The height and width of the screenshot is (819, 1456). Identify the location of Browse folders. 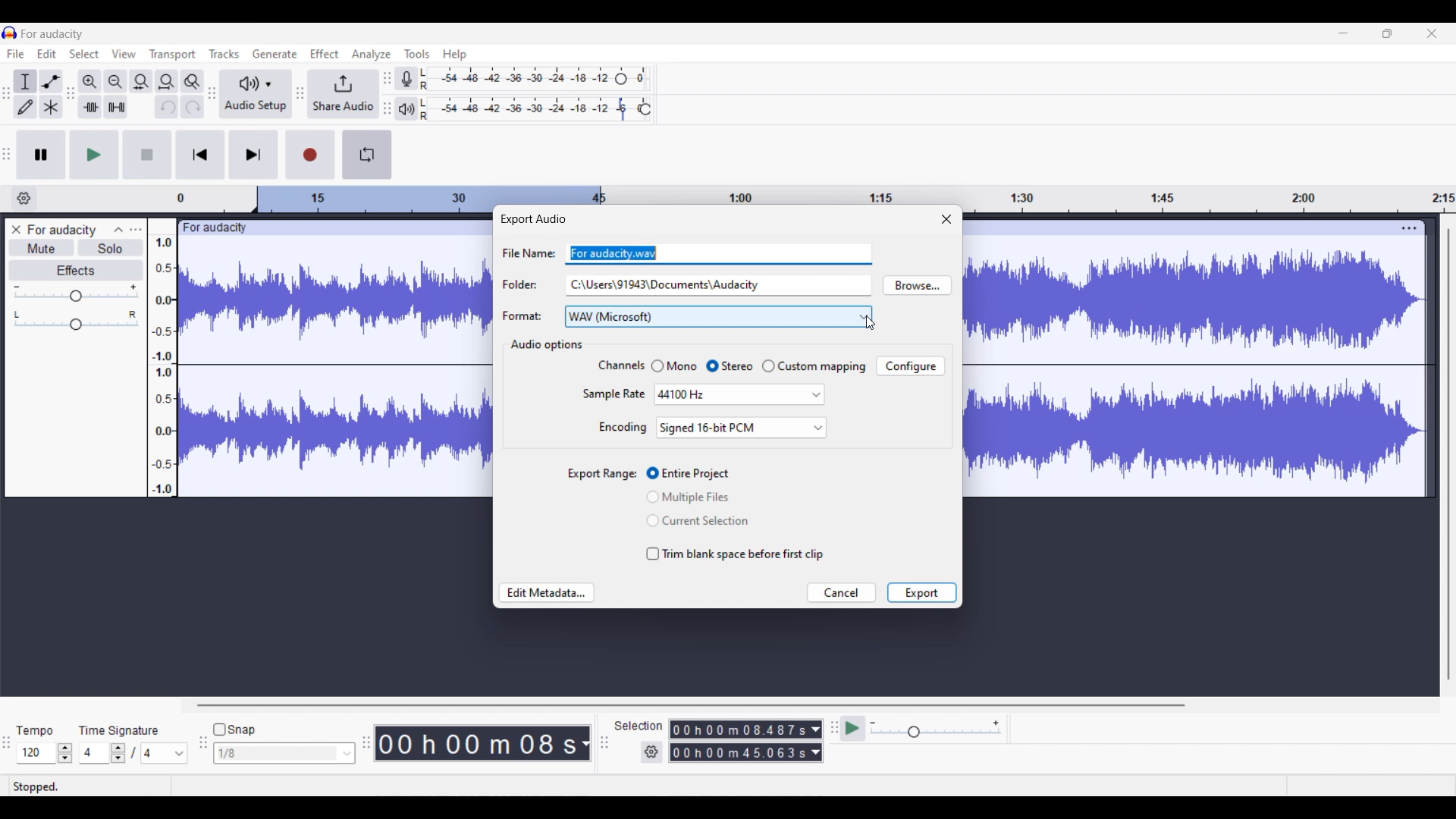
(917, 285).